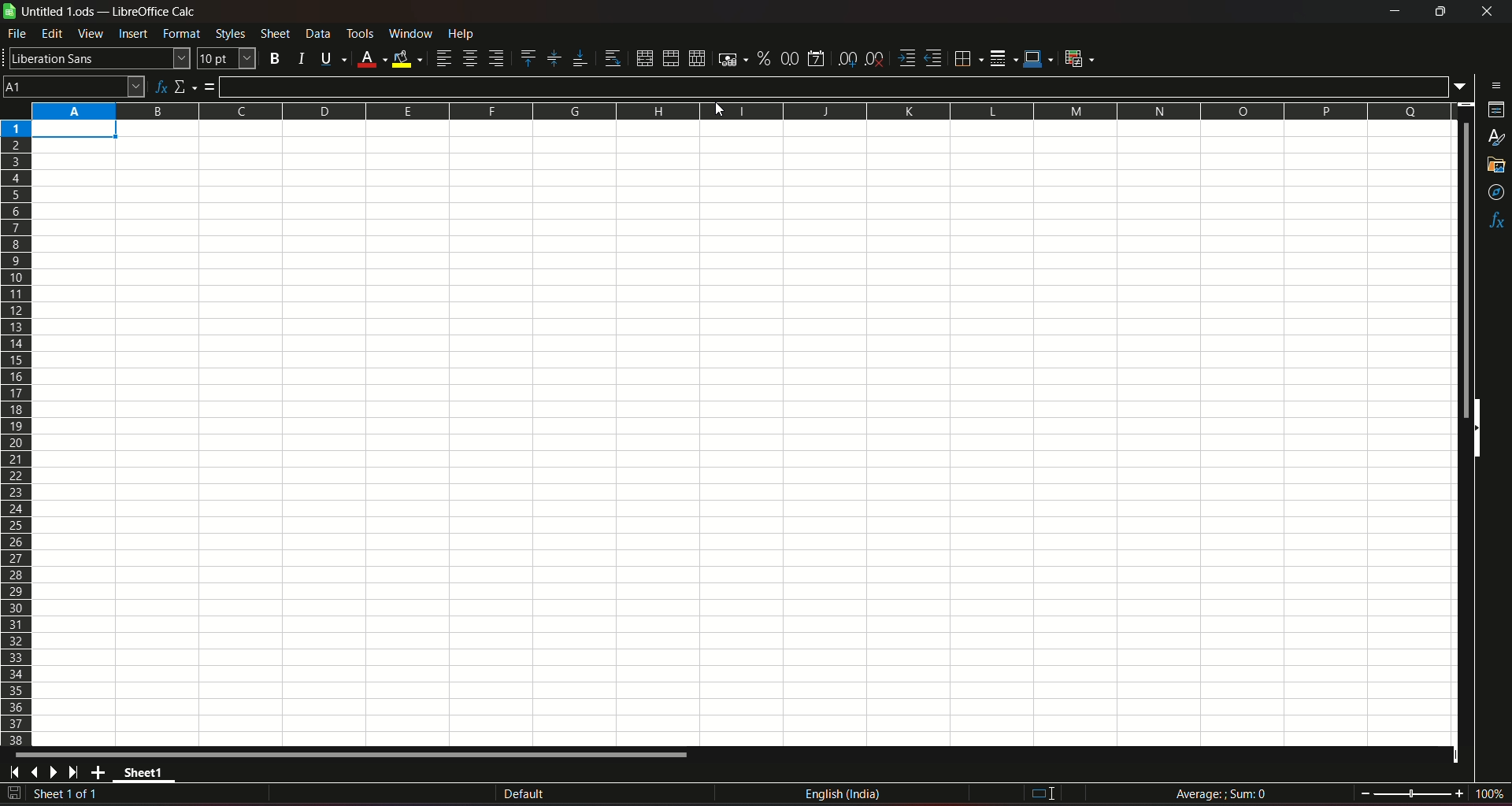 Image resolution: width=1512 pixels, height=806 pixels. Describe the element at coordinates (443, 58) in the screenshot. I see `  align` at that location.